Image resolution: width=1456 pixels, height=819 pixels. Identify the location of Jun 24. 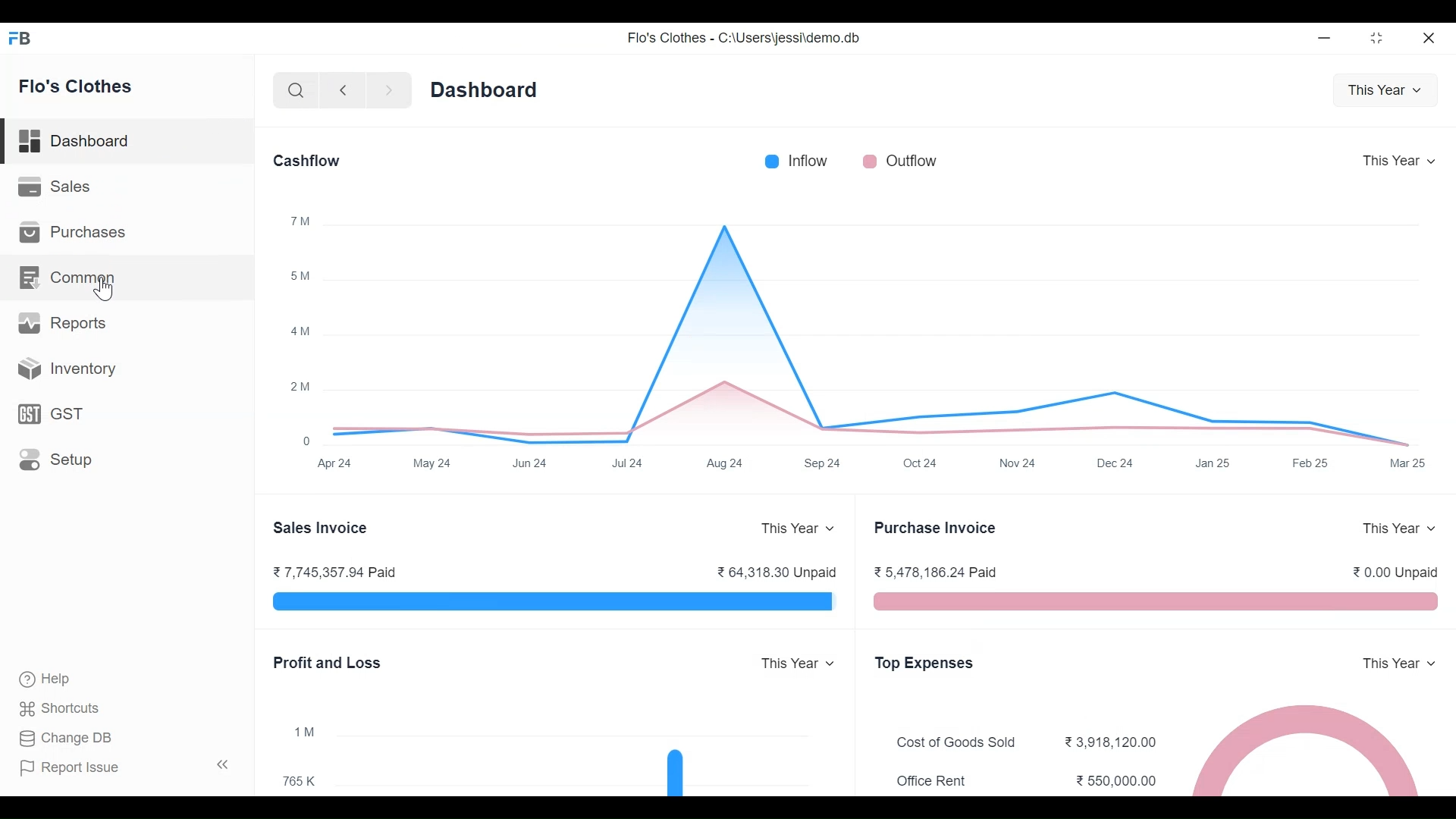
(530, 463).